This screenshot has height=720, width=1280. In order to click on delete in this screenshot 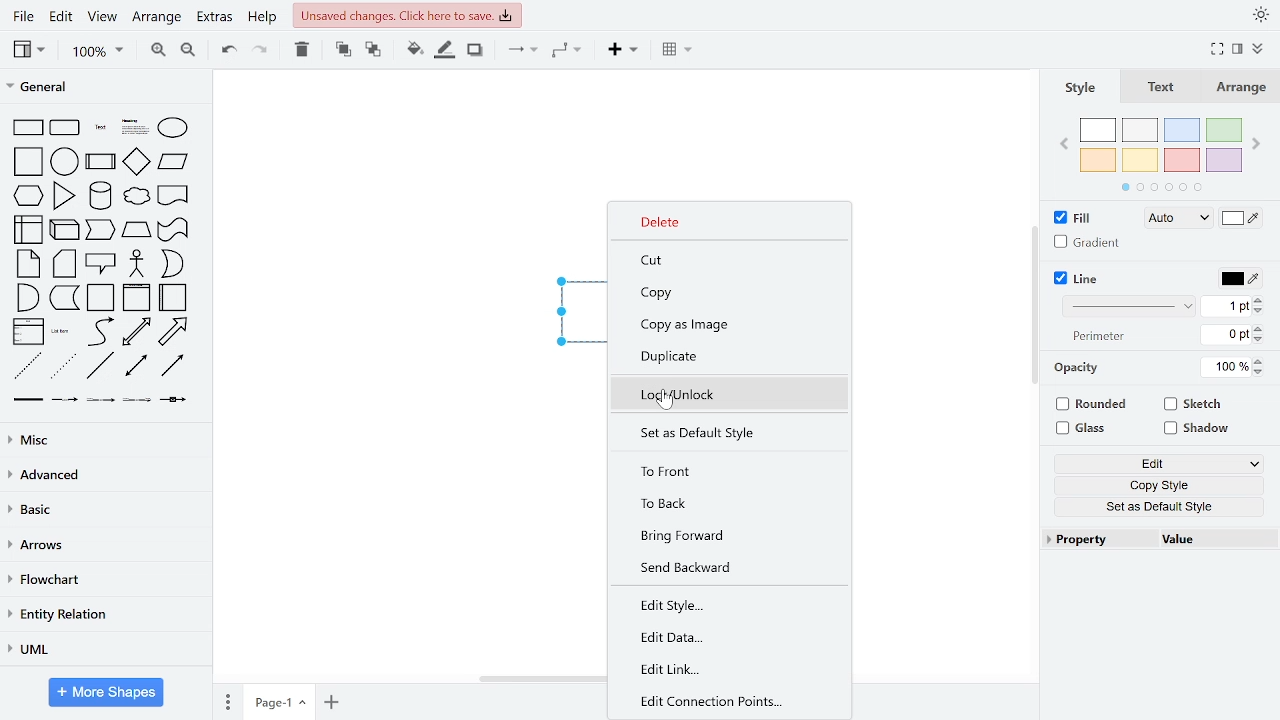, I will do `click(725, 223)`.